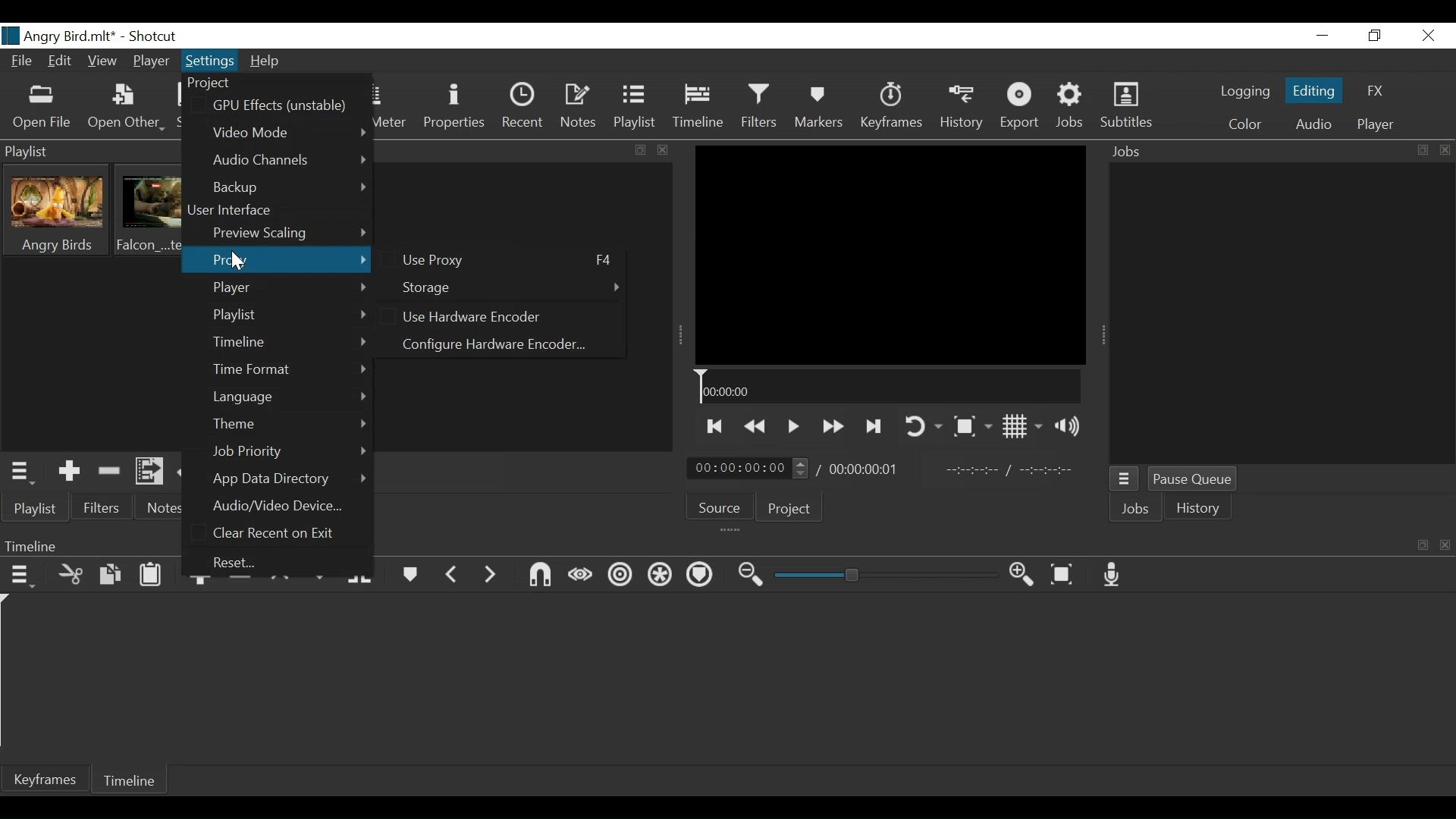  What do you see at coordinates (210, 63) in the screenshot?
I see `Settings` at bounding box center [210, 63].